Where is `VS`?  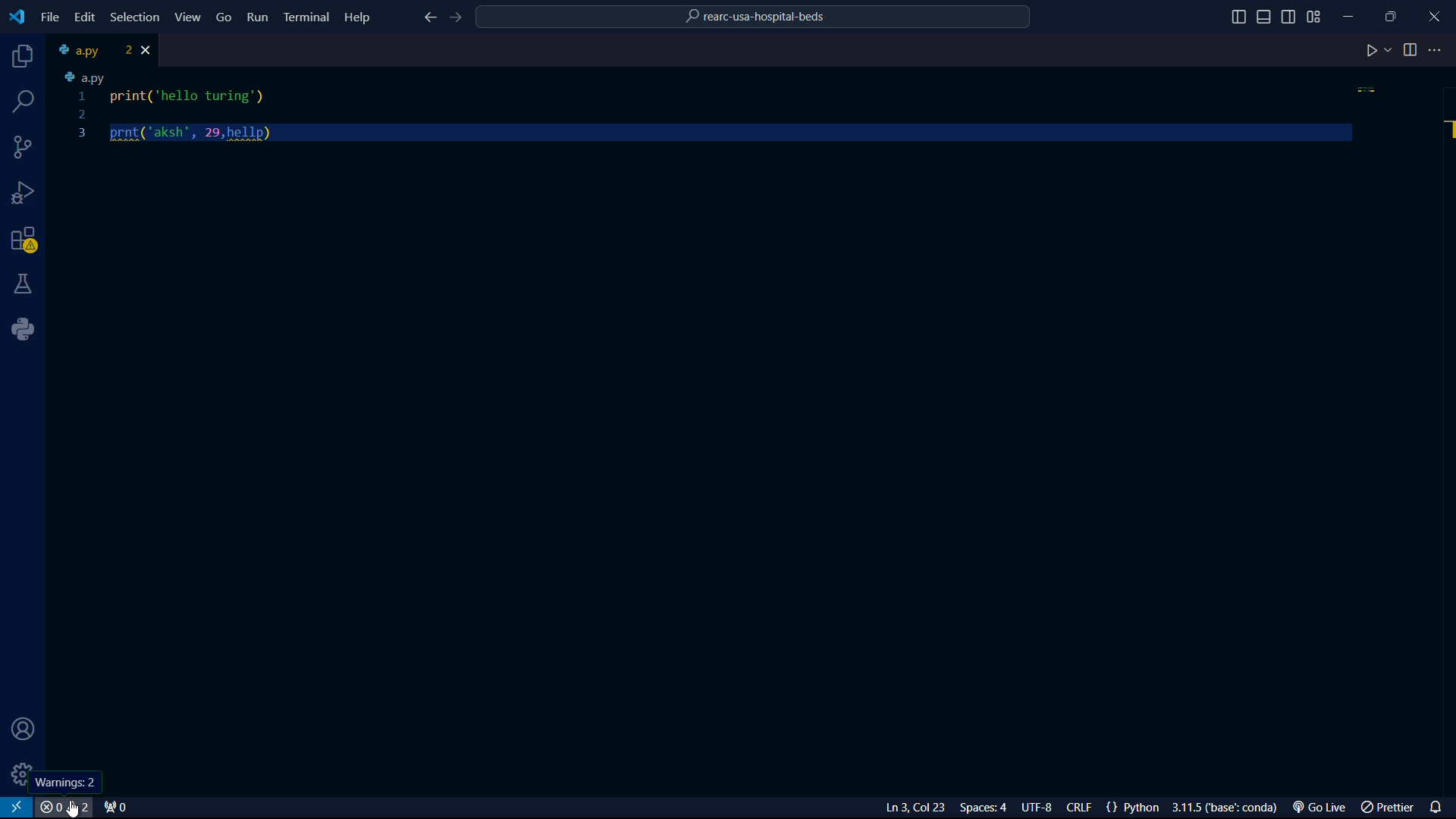 VS is located at coordinates (17, 808).